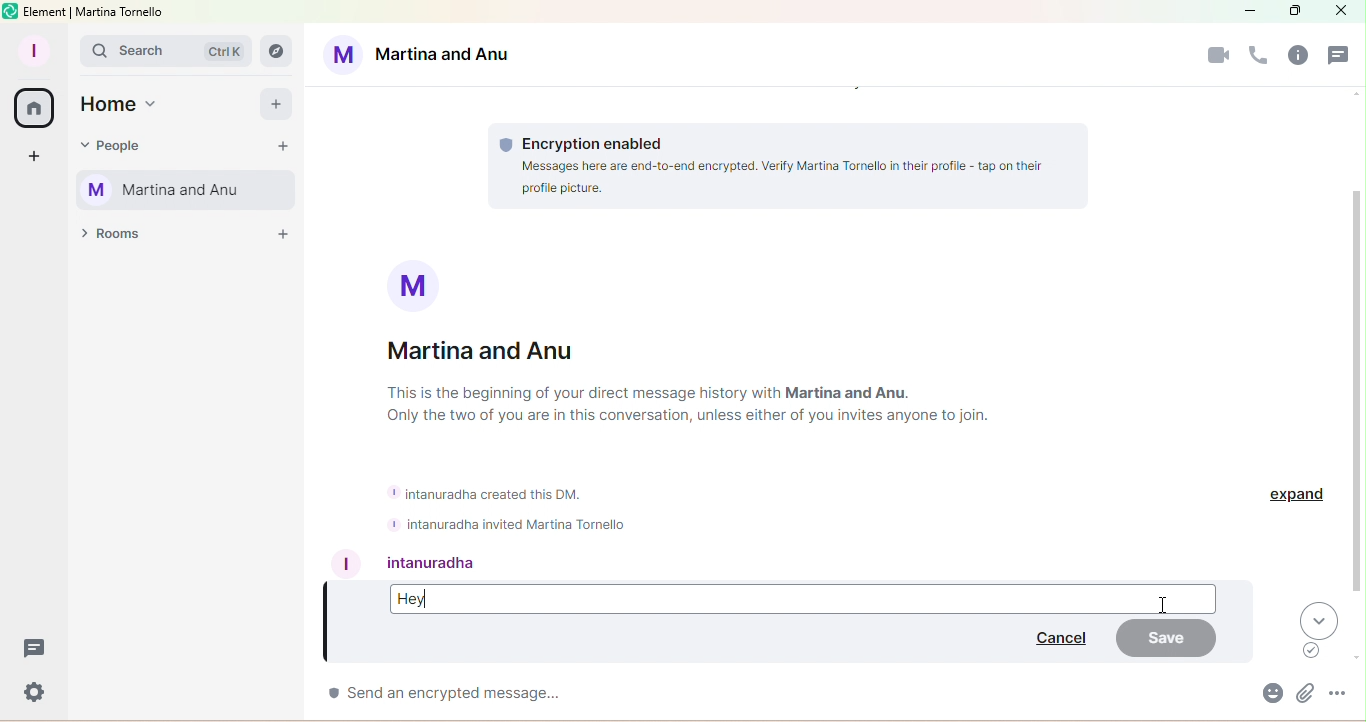 This screenshot has height=722, width=1366. What do you see at coordinates (507, 524) in the screenshot?
I see `+ intanuradha invited Martina Tornello` at bounding box center [507, 524].